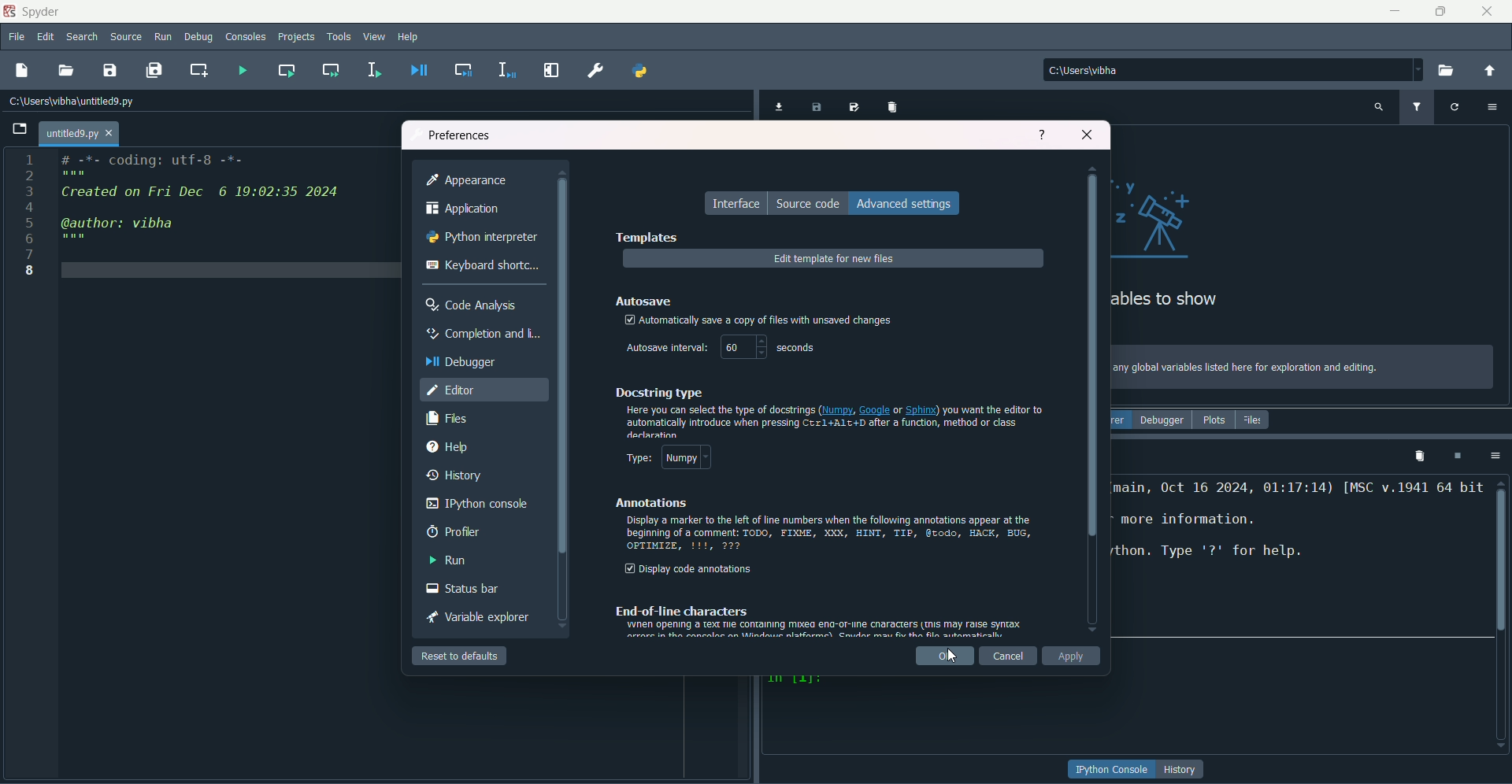 This screenshot has height=784, width=1512. Describe the element at coordinates (1166, 216) in the screenshot. I see `graphics` at that location.